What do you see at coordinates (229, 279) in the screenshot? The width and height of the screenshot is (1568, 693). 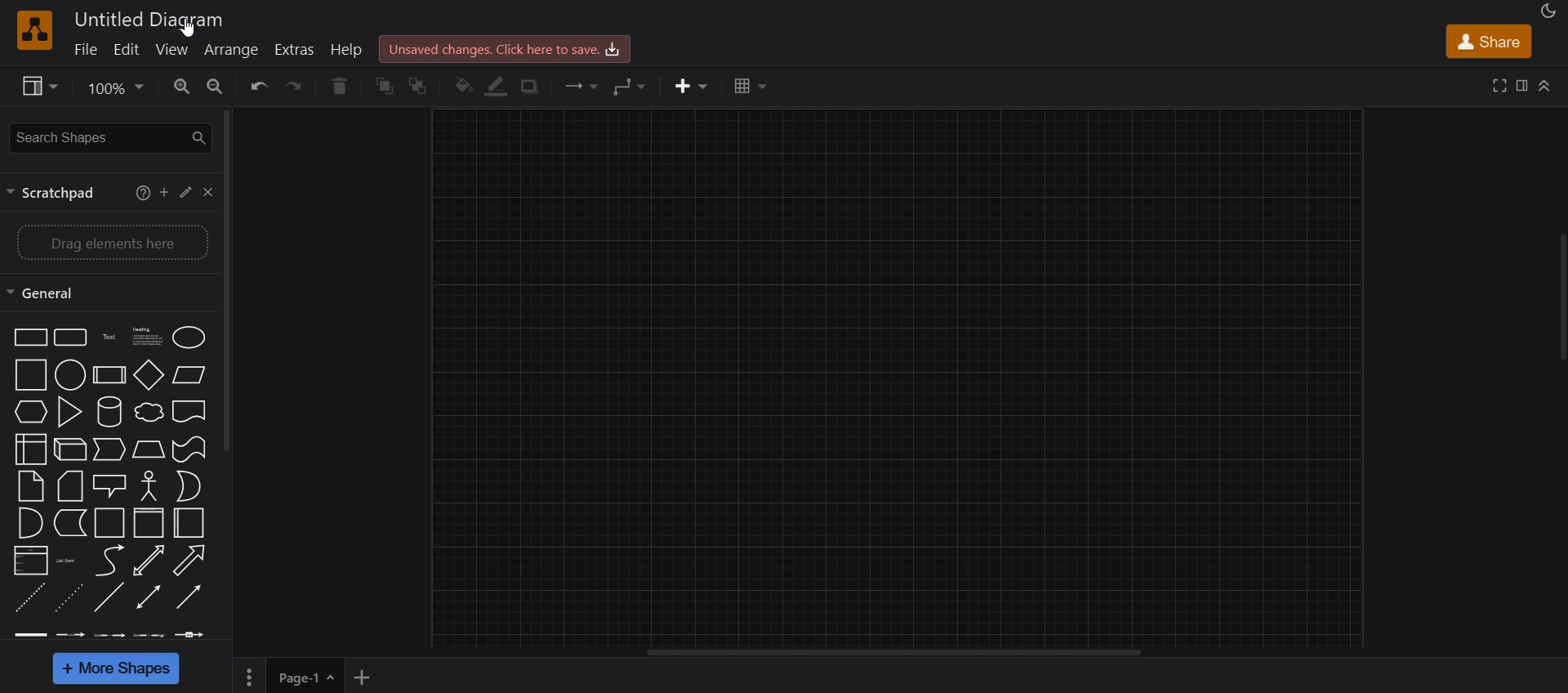 I see `vertical scroll bar` at bounding box center [229, 279].